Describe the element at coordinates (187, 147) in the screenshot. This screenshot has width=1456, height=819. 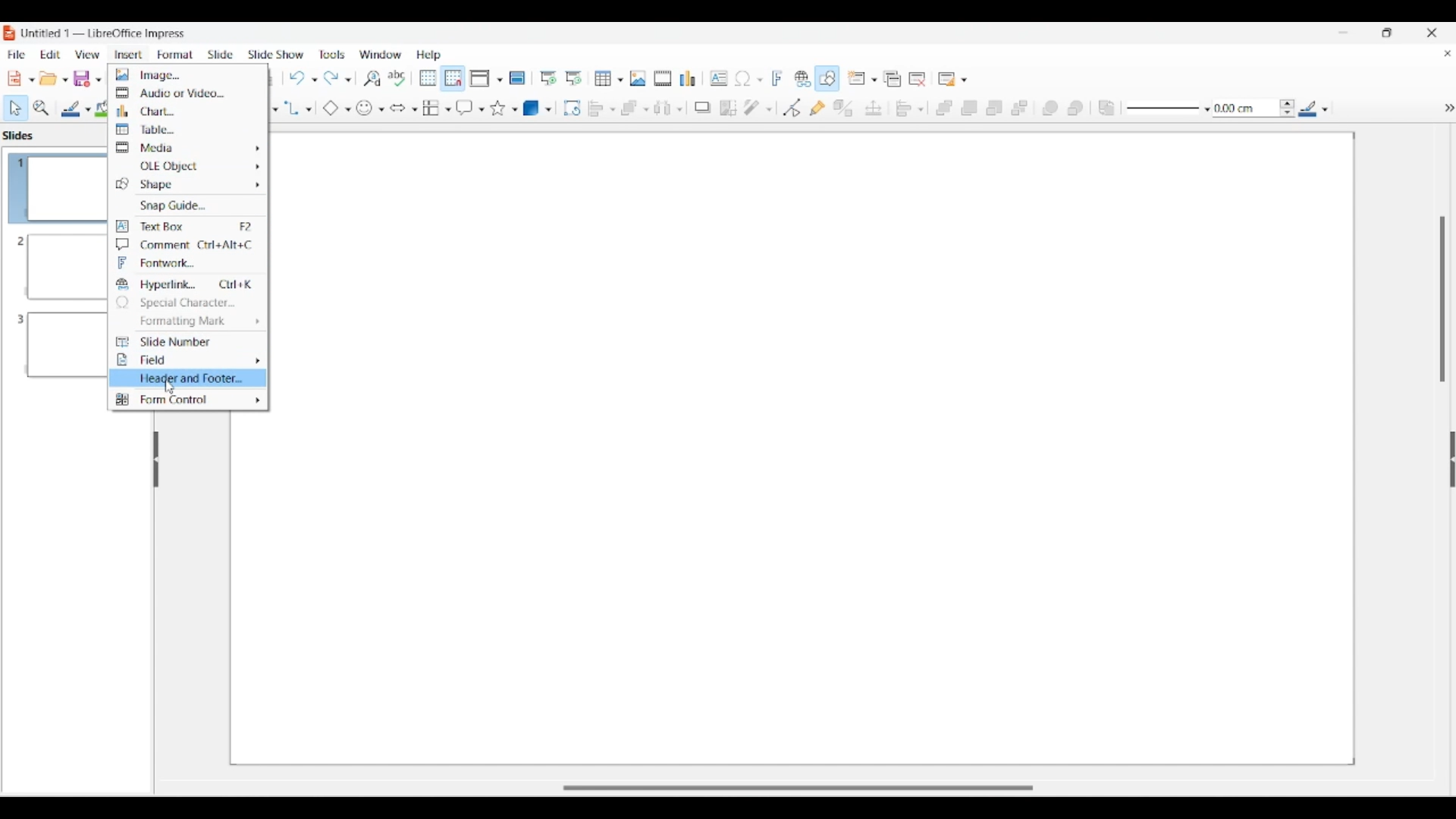
I see `Media options` at that location.